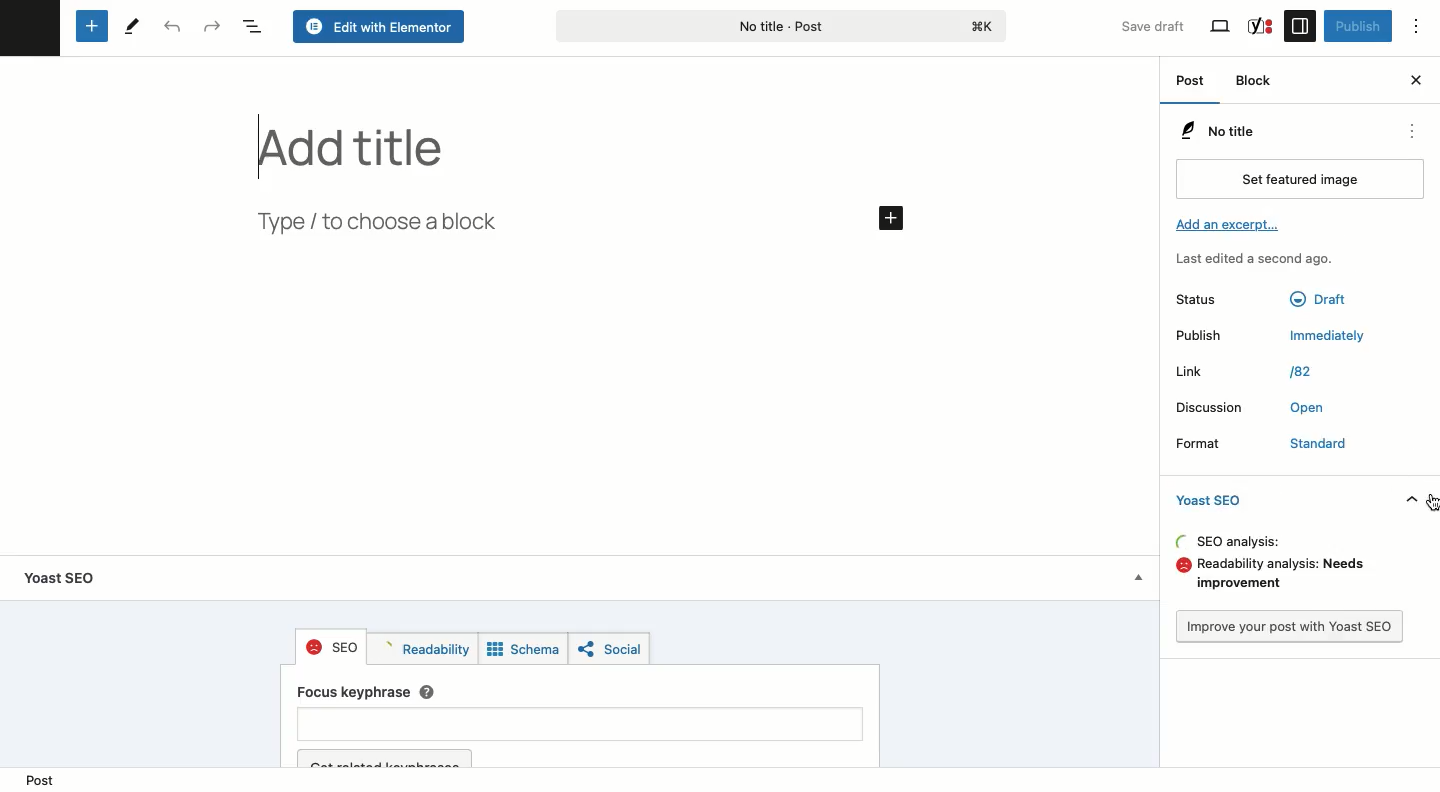 This screenshot has height=792, width=1440. What do you see at coordinates (1192, 84) in the screenshot?
I see `Post` at bounding box center [1192, 84].